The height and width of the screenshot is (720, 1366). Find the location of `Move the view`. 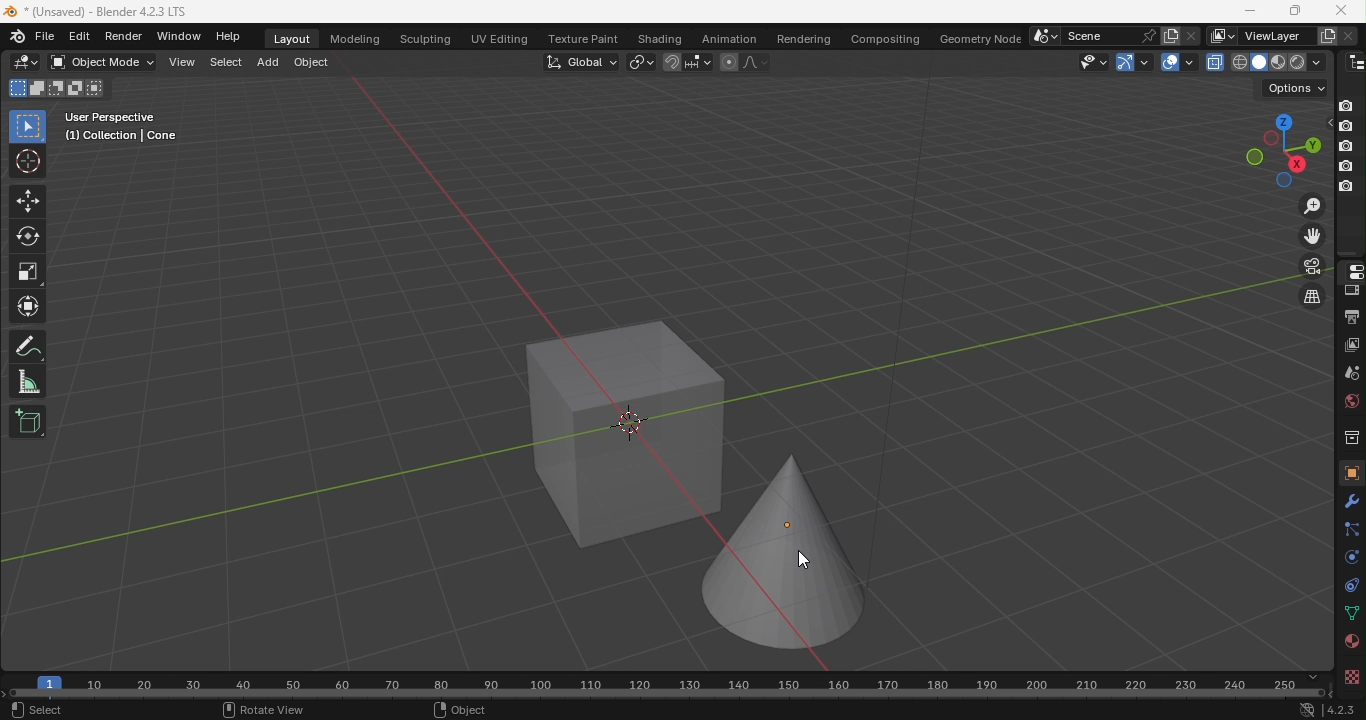

Move the view is located at coordinates (1313, 236).